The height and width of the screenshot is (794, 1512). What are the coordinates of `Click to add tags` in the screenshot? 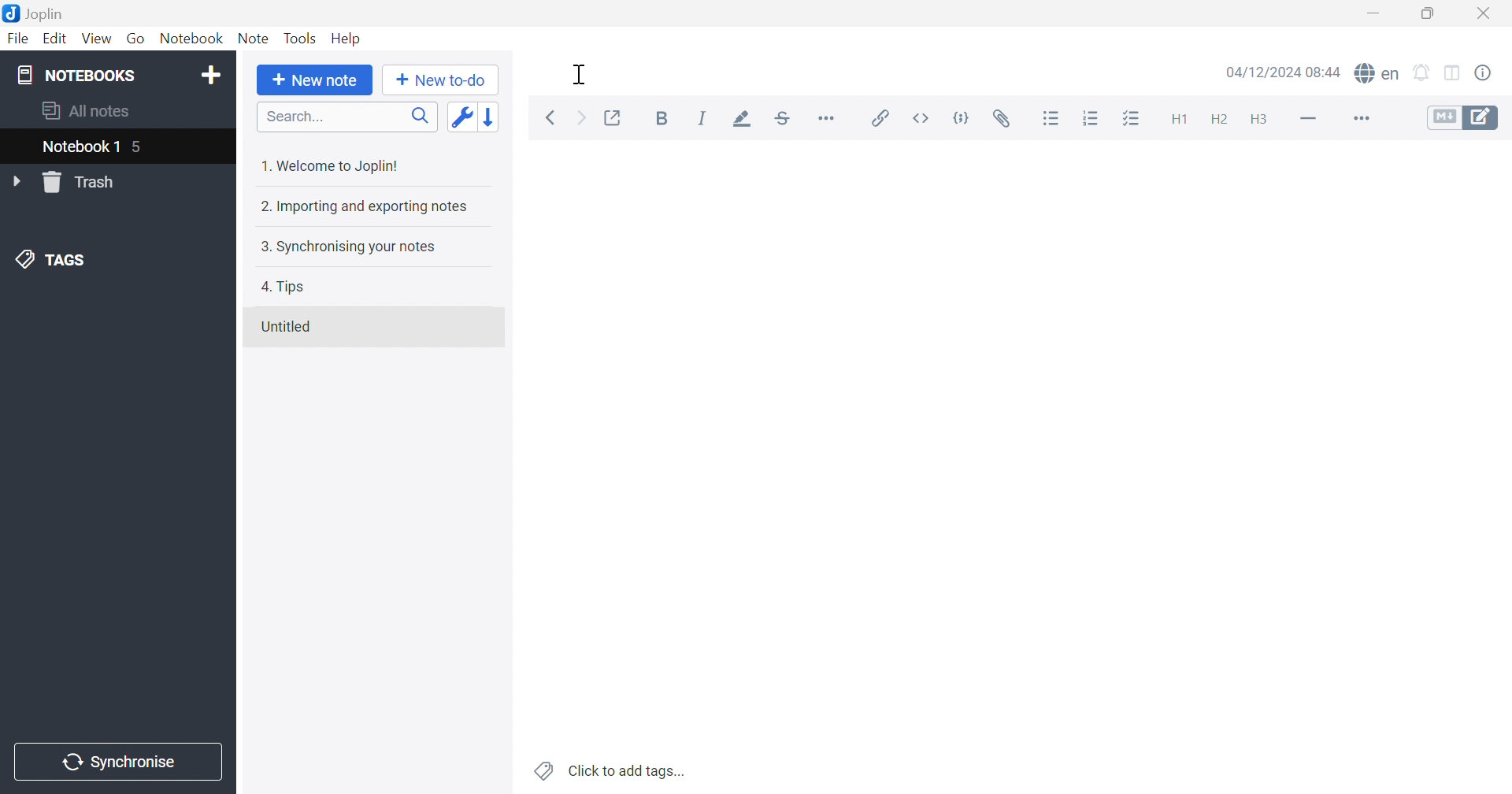 It's located at (606, 770).